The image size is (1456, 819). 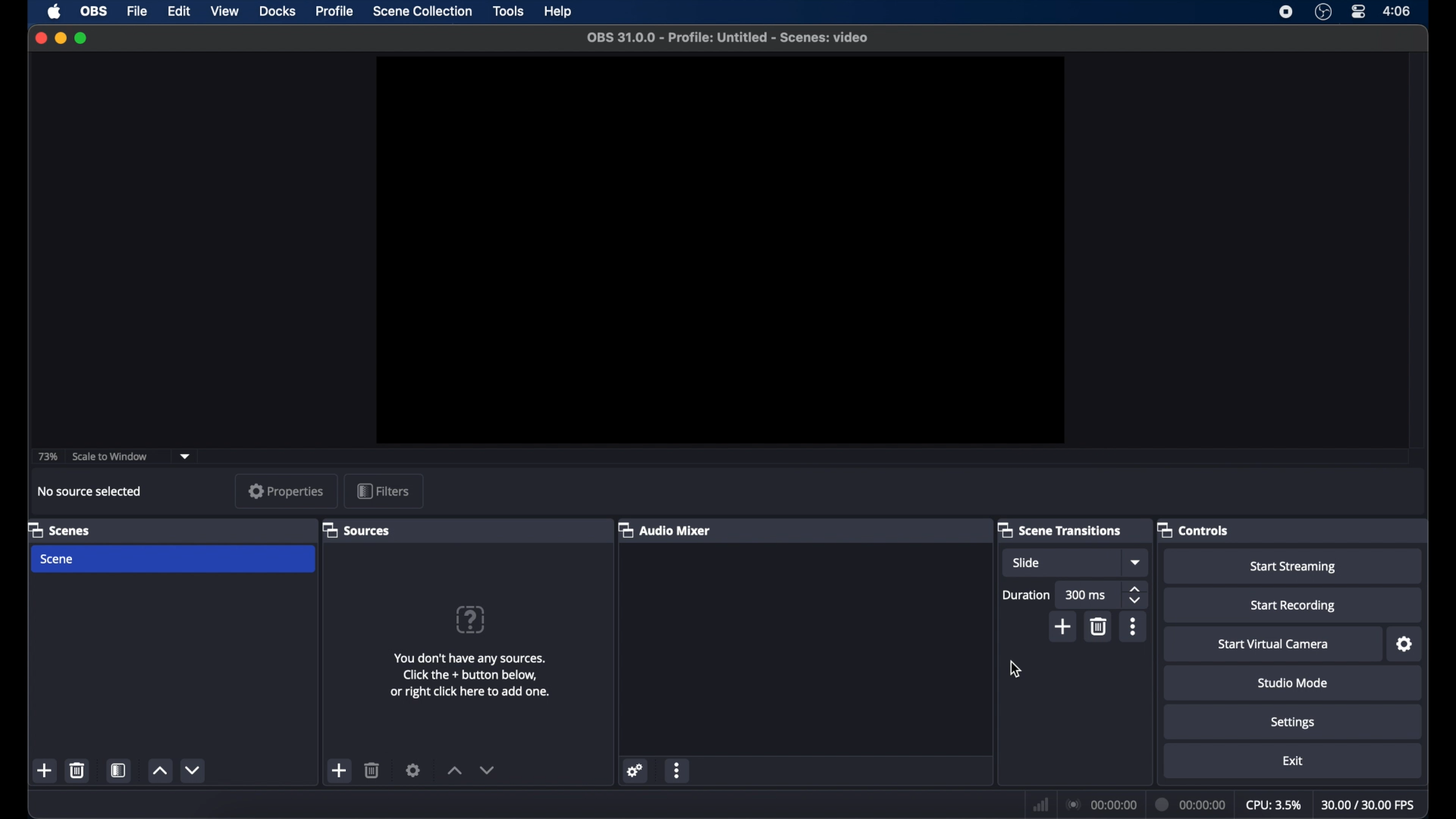 What do you see at coordinates (58, 558) in the screenshot?
I see `scene` at bounding box center [58, 558].